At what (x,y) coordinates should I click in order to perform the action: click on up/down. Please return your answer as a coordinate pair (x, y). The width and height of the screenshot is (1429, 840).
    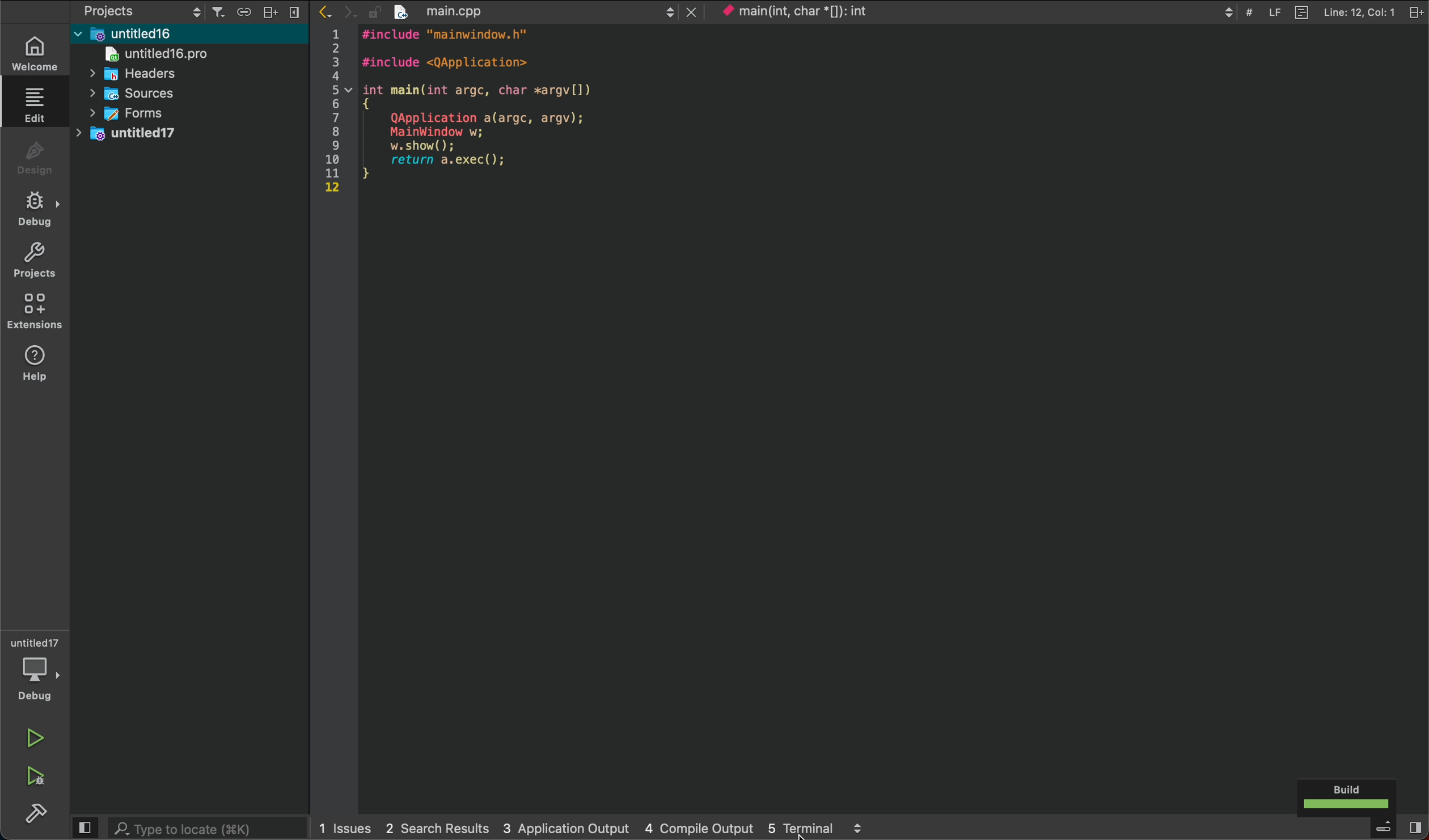
    Looking at the image, I should click on (667, 12).